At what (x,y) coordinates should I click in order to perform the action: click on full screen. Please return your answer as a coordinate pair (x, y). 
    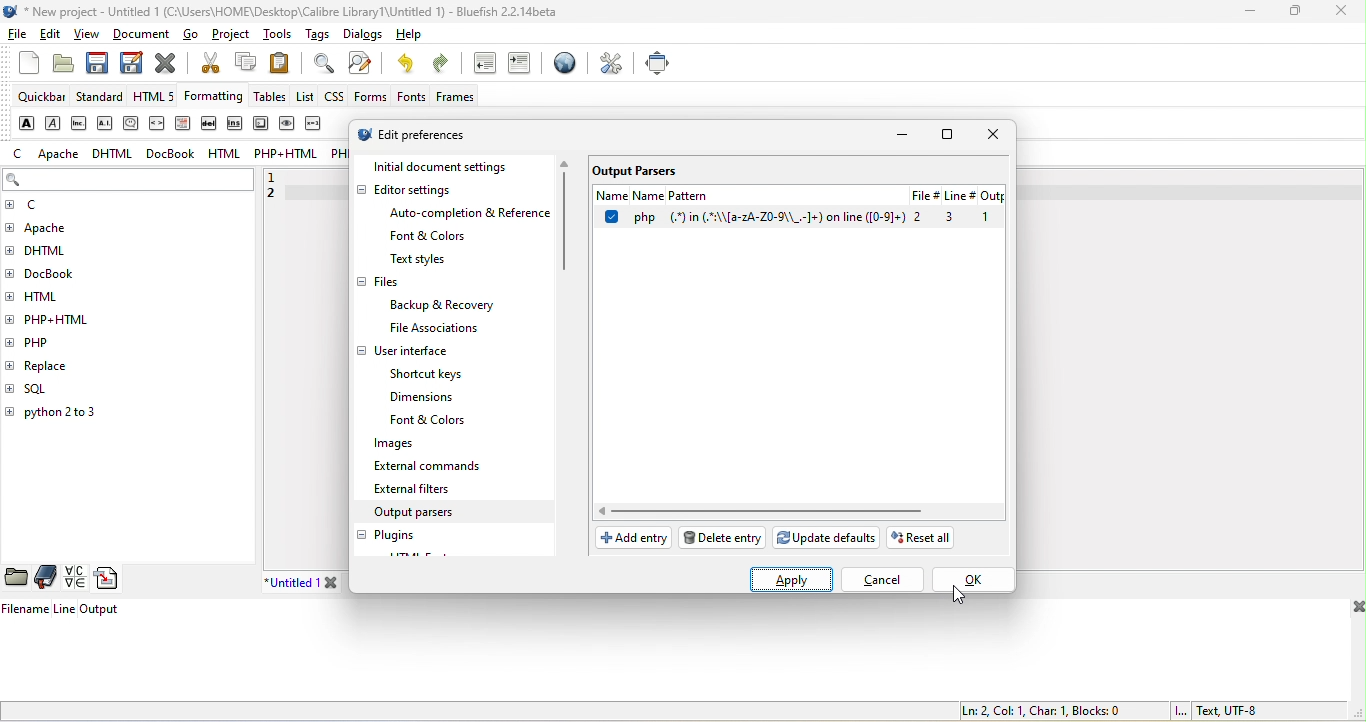
    Looking at the image, I should click on (658, 62).